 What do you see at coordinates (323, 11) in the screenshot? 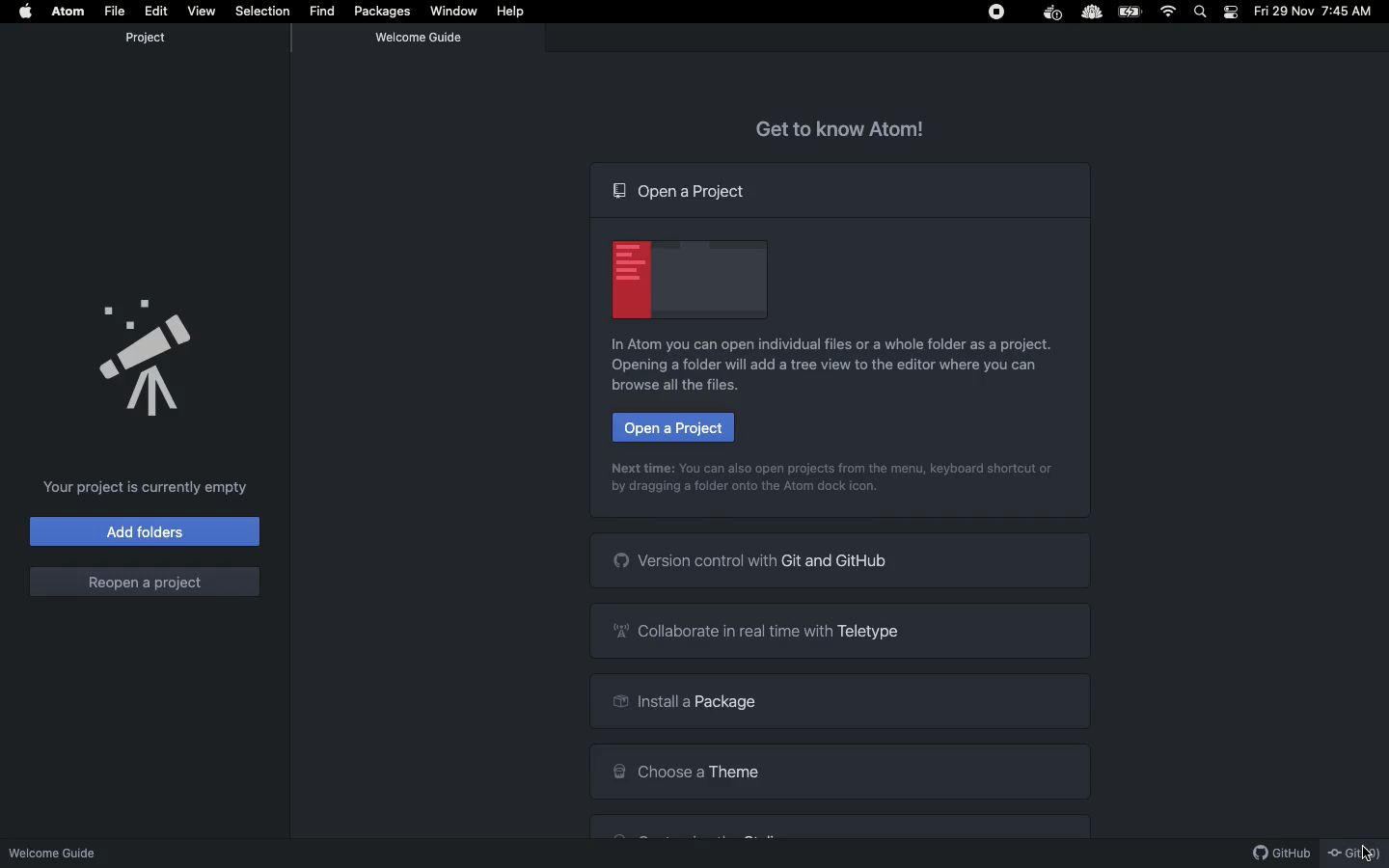
I see `Find` at bounding box center [323, 11].